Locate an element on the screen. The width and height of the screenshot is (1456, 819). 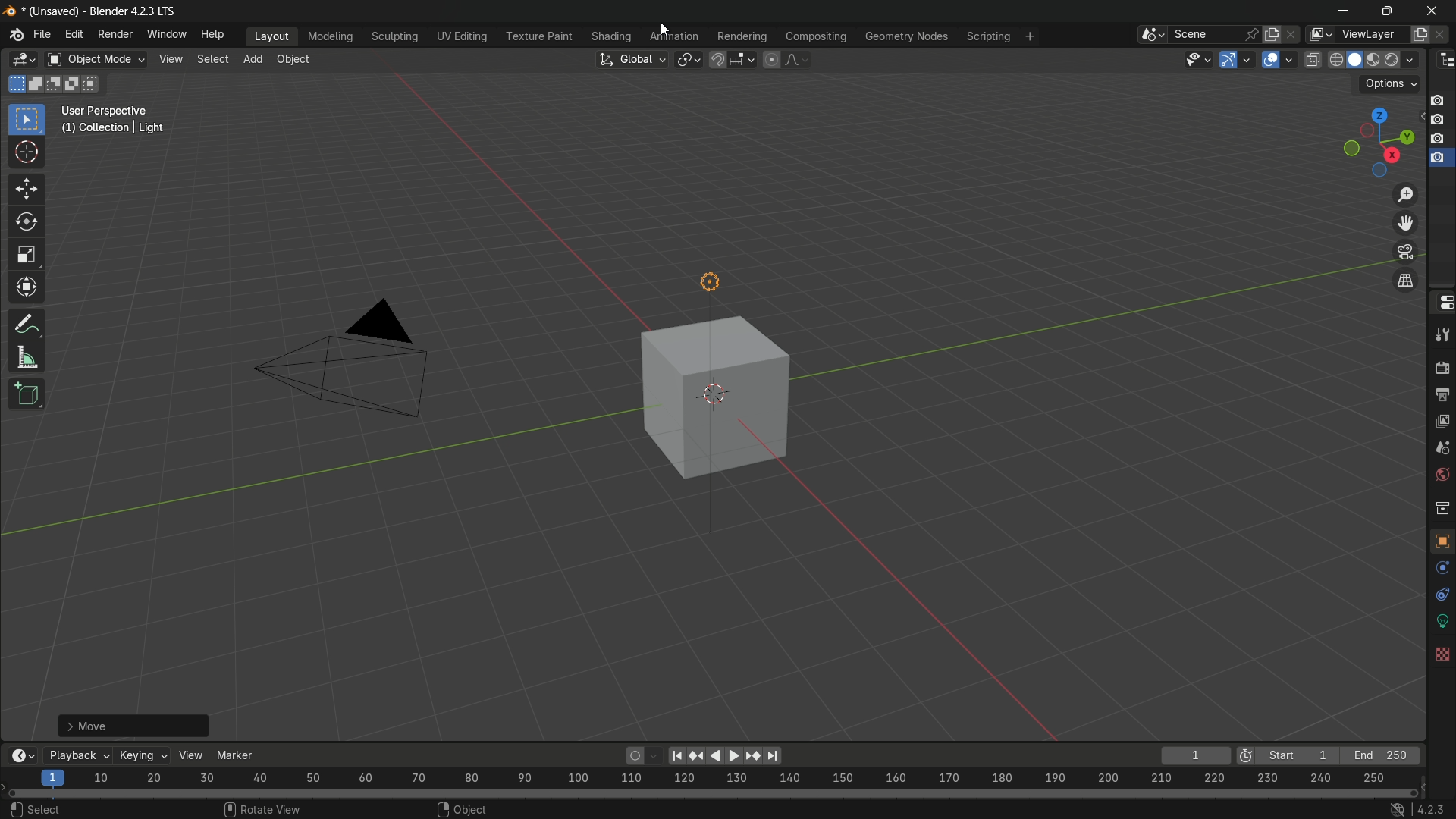
gizmos is located at coordinates (1250, 59).